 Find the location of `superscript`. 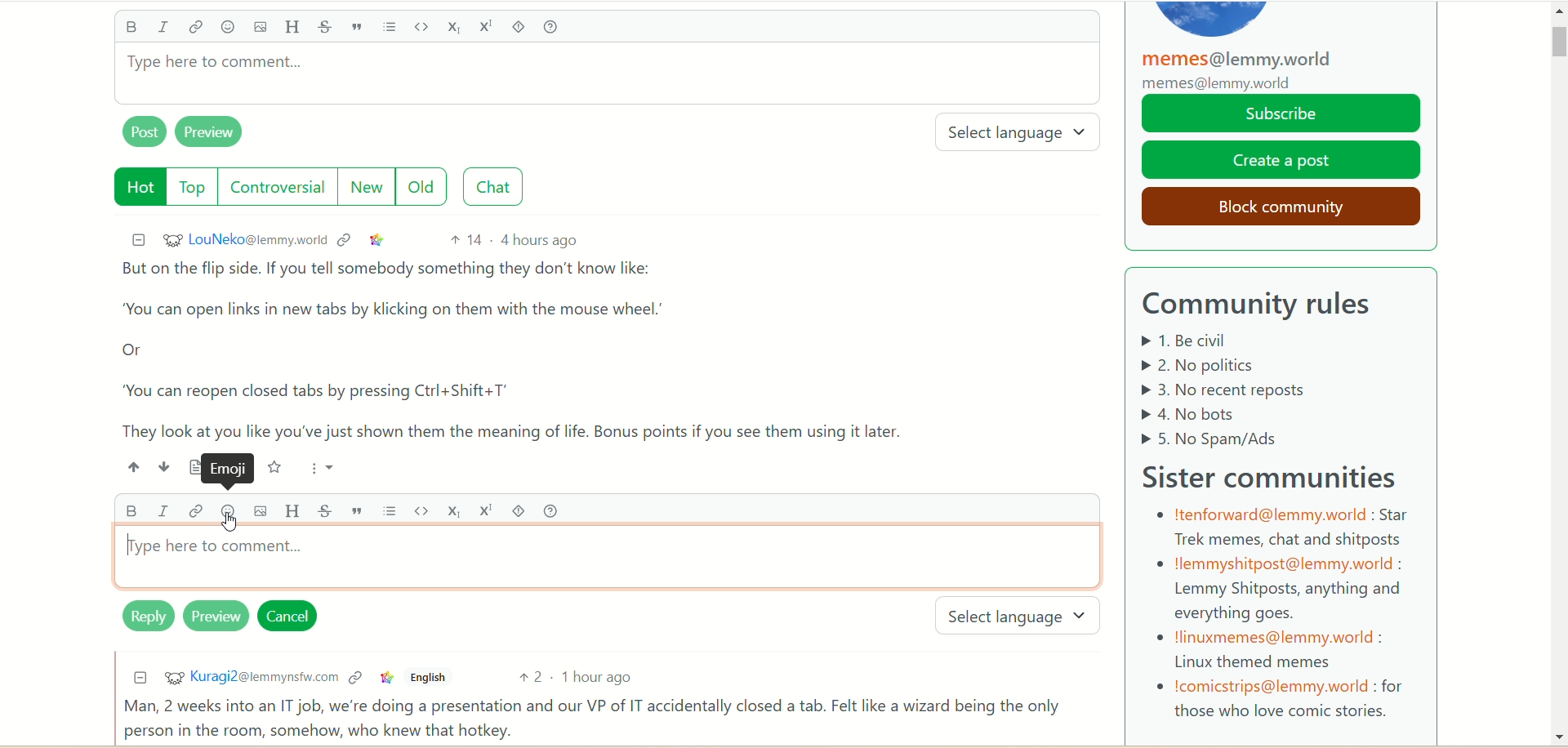

superscript is located at coordinates (484, 510).